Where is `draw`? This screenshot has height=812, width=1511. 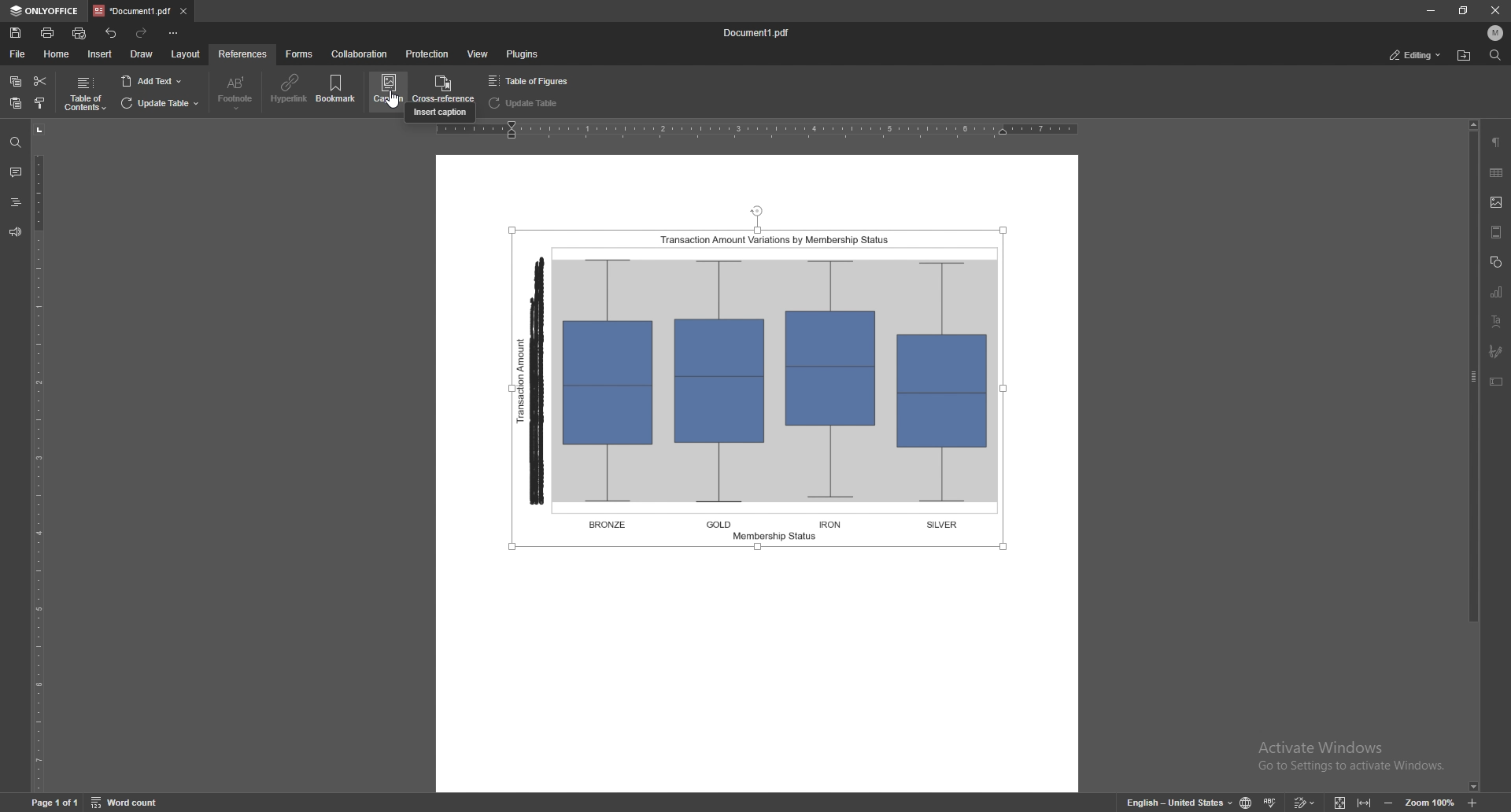 draw is located at coordinates (142, 54).